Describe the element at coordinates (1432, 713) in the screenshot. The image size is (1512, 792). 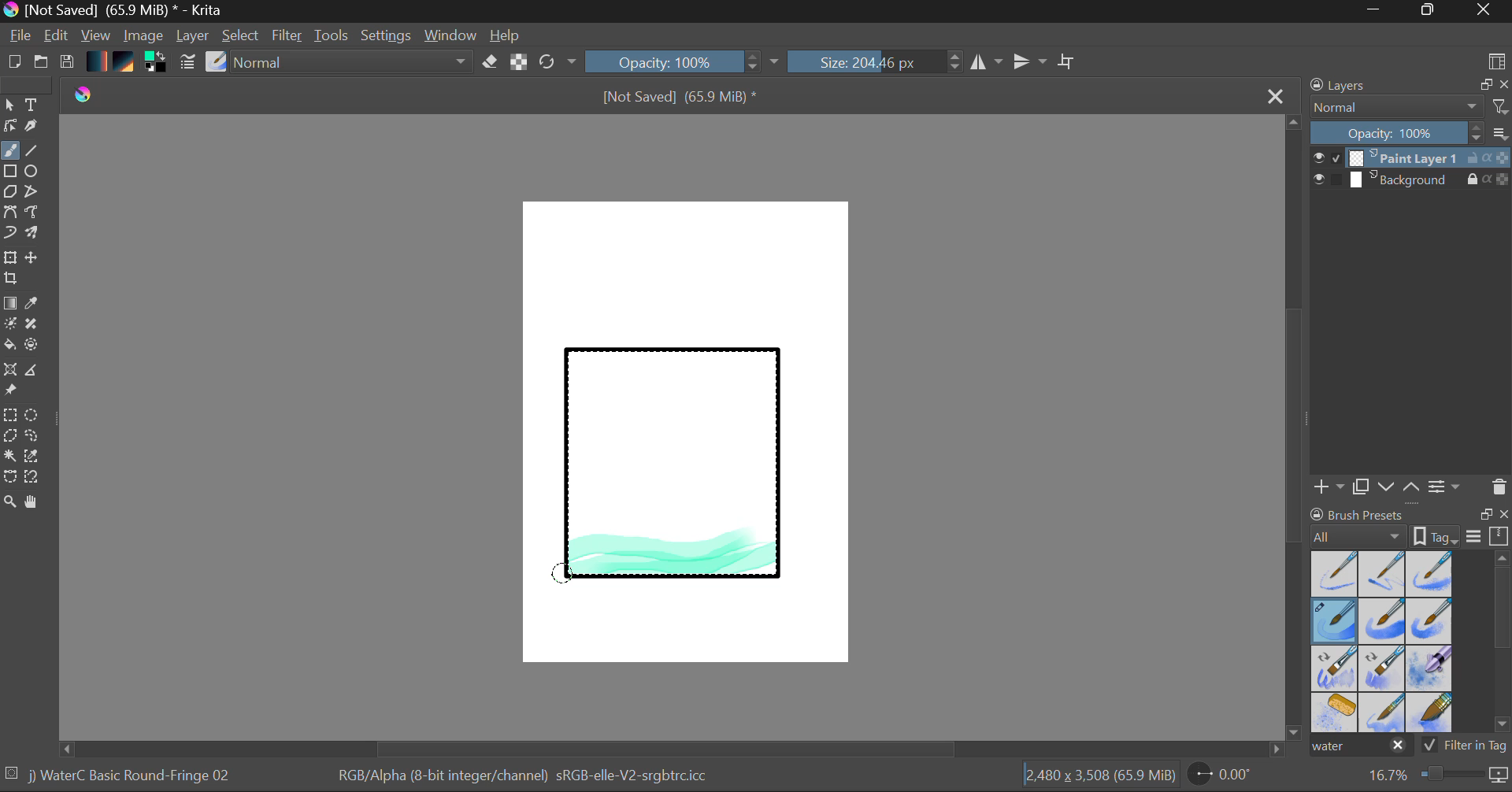
I see `Water C - Wide Area` at that location.